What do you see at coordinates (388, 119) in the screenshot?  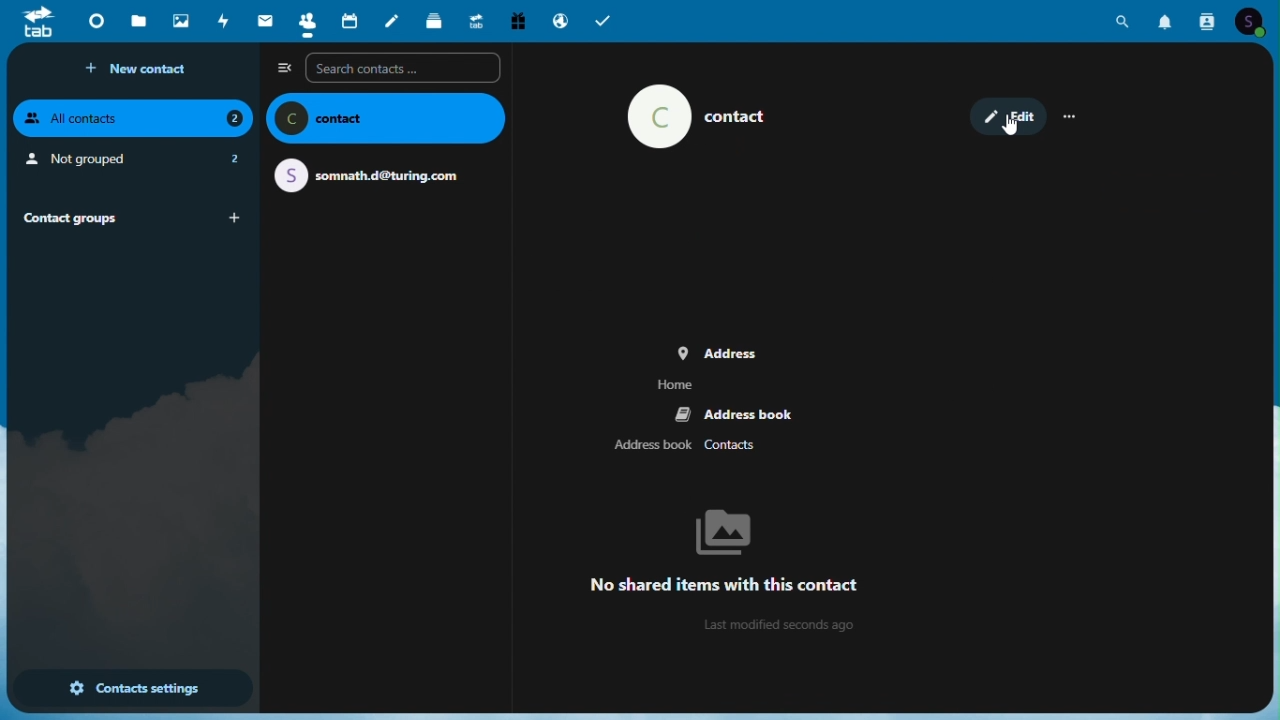 I see `name` at bounding box center [388, 119].